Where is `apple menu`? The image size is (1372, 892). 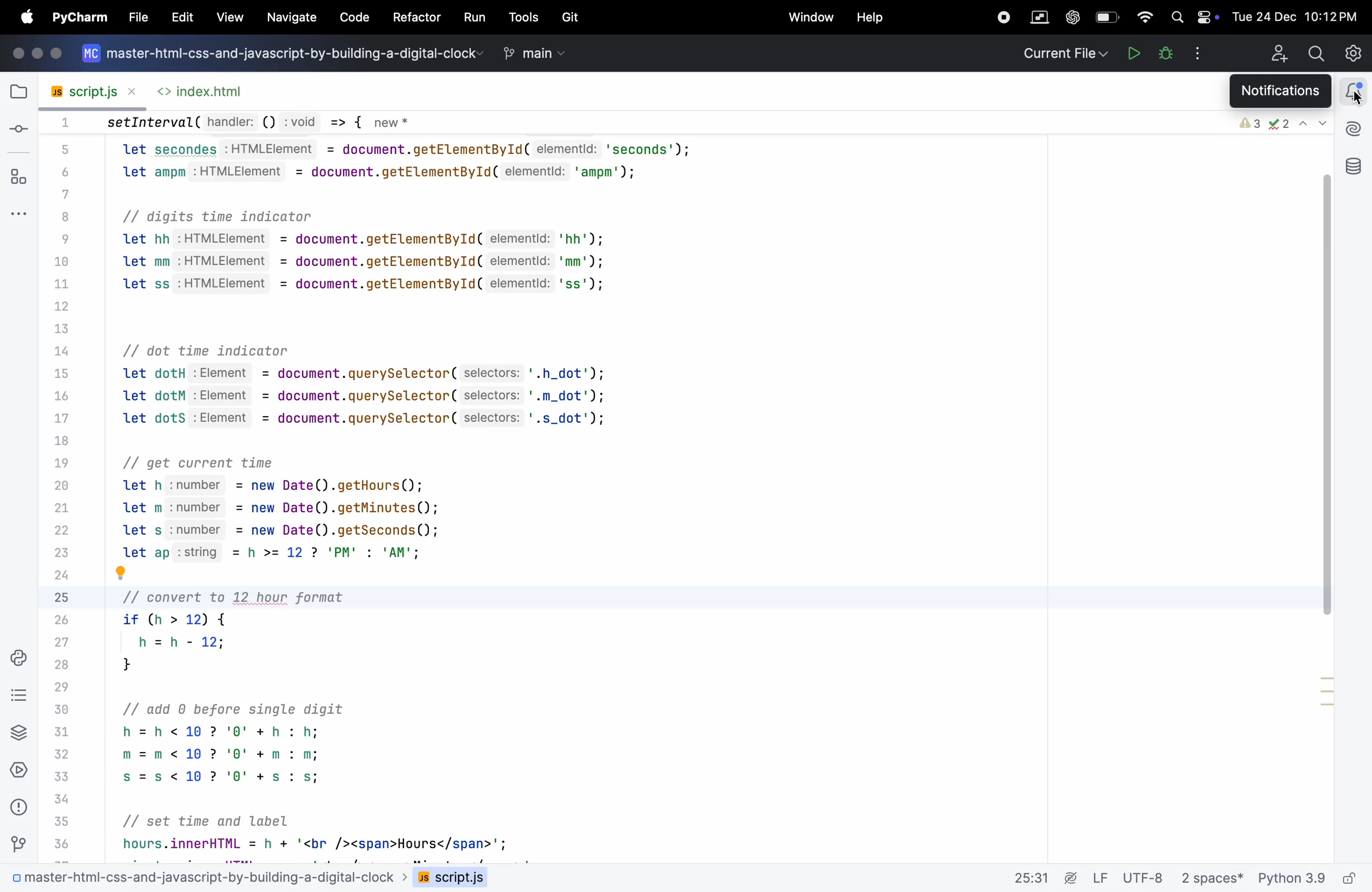
apple menu is located at coordinates (24, 17).